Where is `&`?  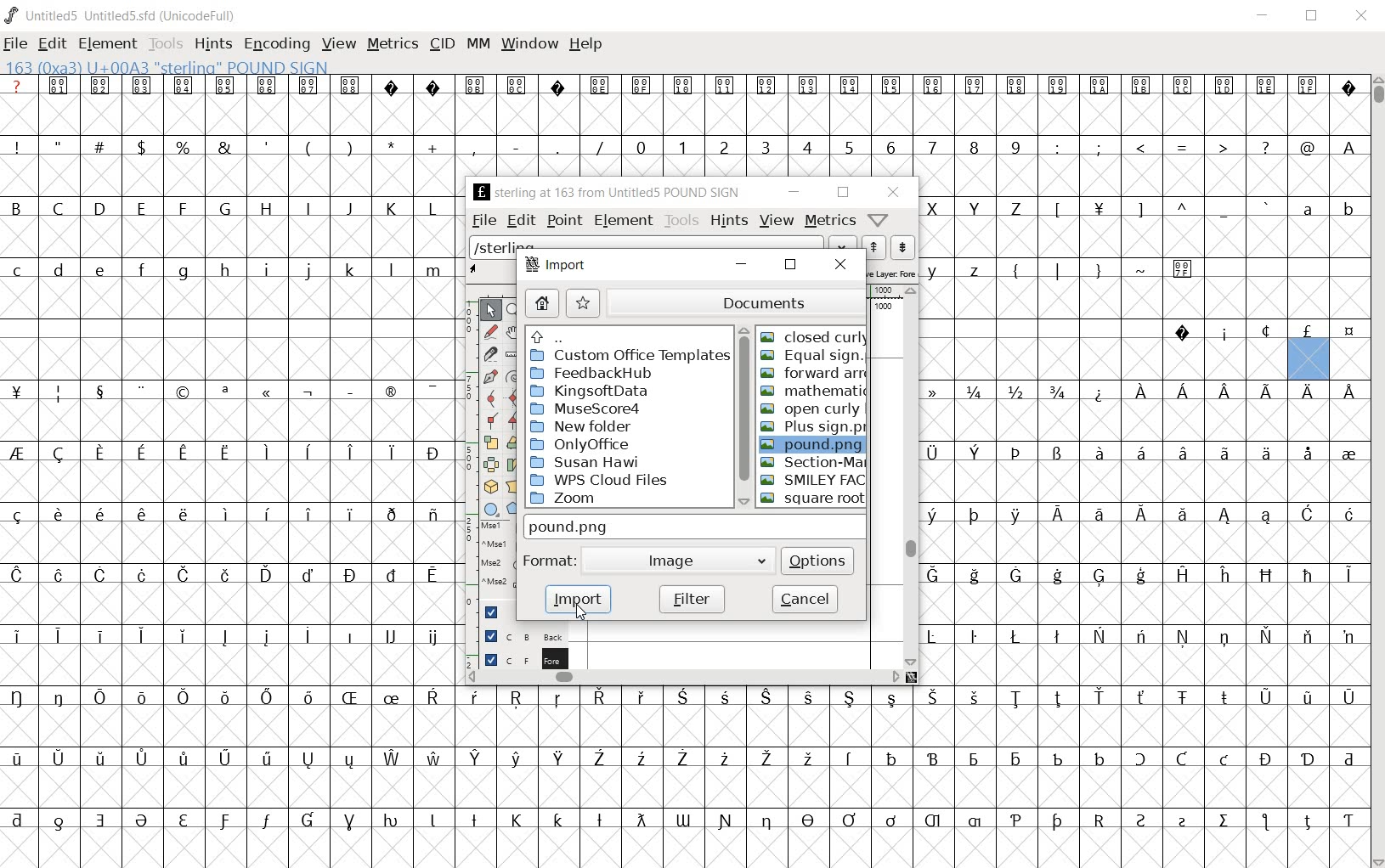 & is located at coordinates (227, 146).